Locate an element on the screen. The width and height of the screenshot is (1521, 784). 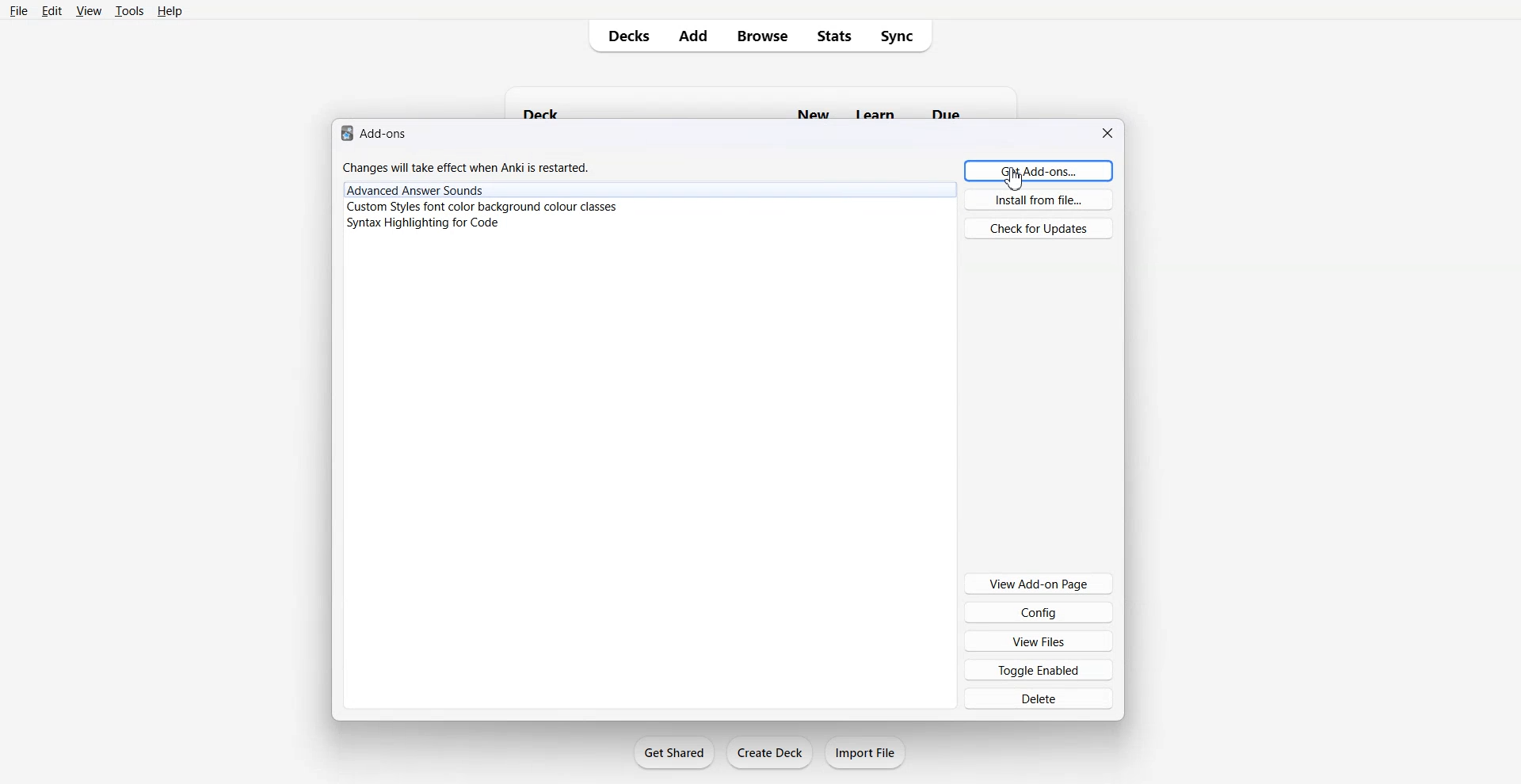
Plugins is located at coordinates (649, 189).